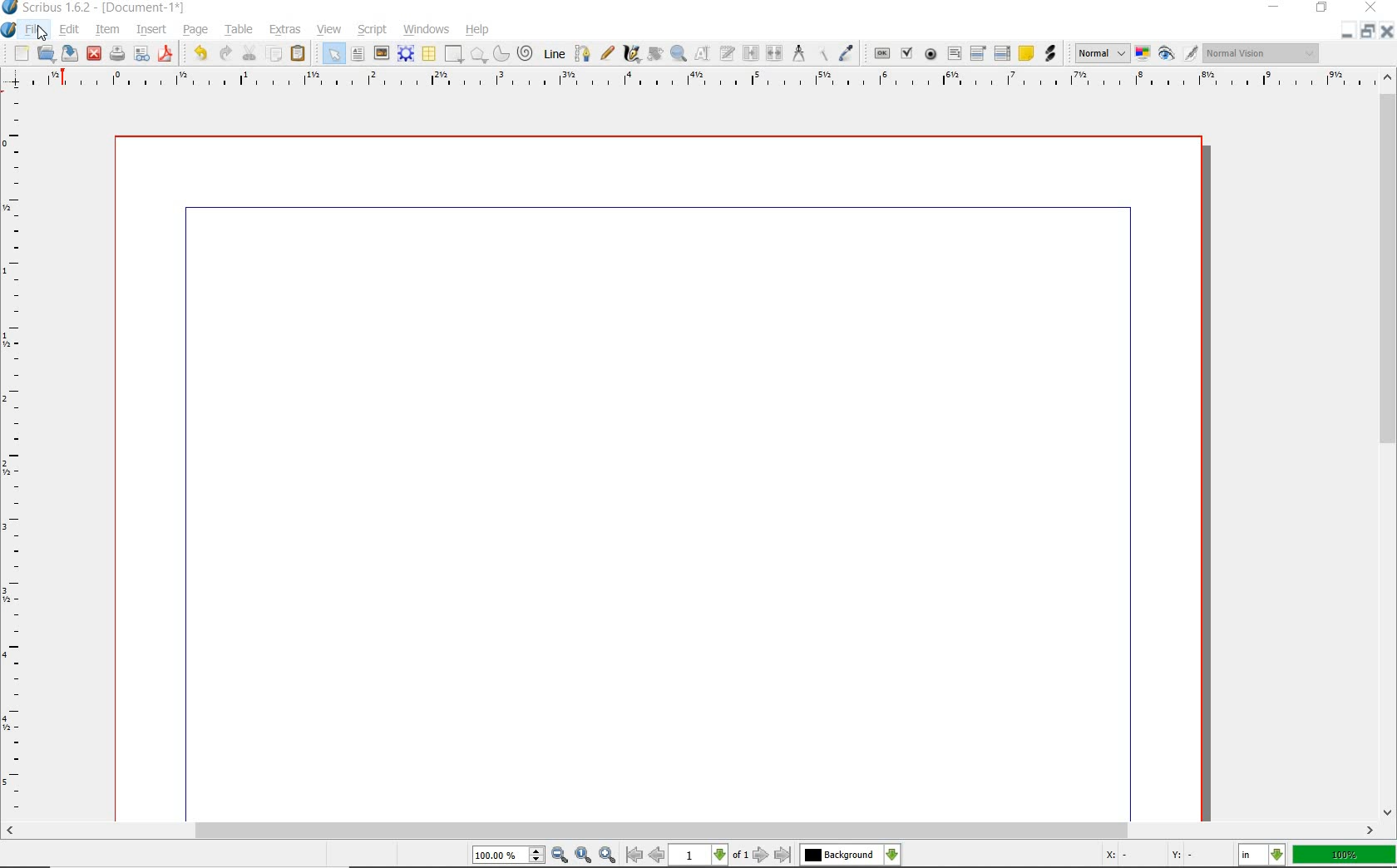 The height and width of the screenshot is (868, 1397). What do you see at coordinates (427, 28) in the screenshot?
I see `windows` at bounding box center [427, 28].